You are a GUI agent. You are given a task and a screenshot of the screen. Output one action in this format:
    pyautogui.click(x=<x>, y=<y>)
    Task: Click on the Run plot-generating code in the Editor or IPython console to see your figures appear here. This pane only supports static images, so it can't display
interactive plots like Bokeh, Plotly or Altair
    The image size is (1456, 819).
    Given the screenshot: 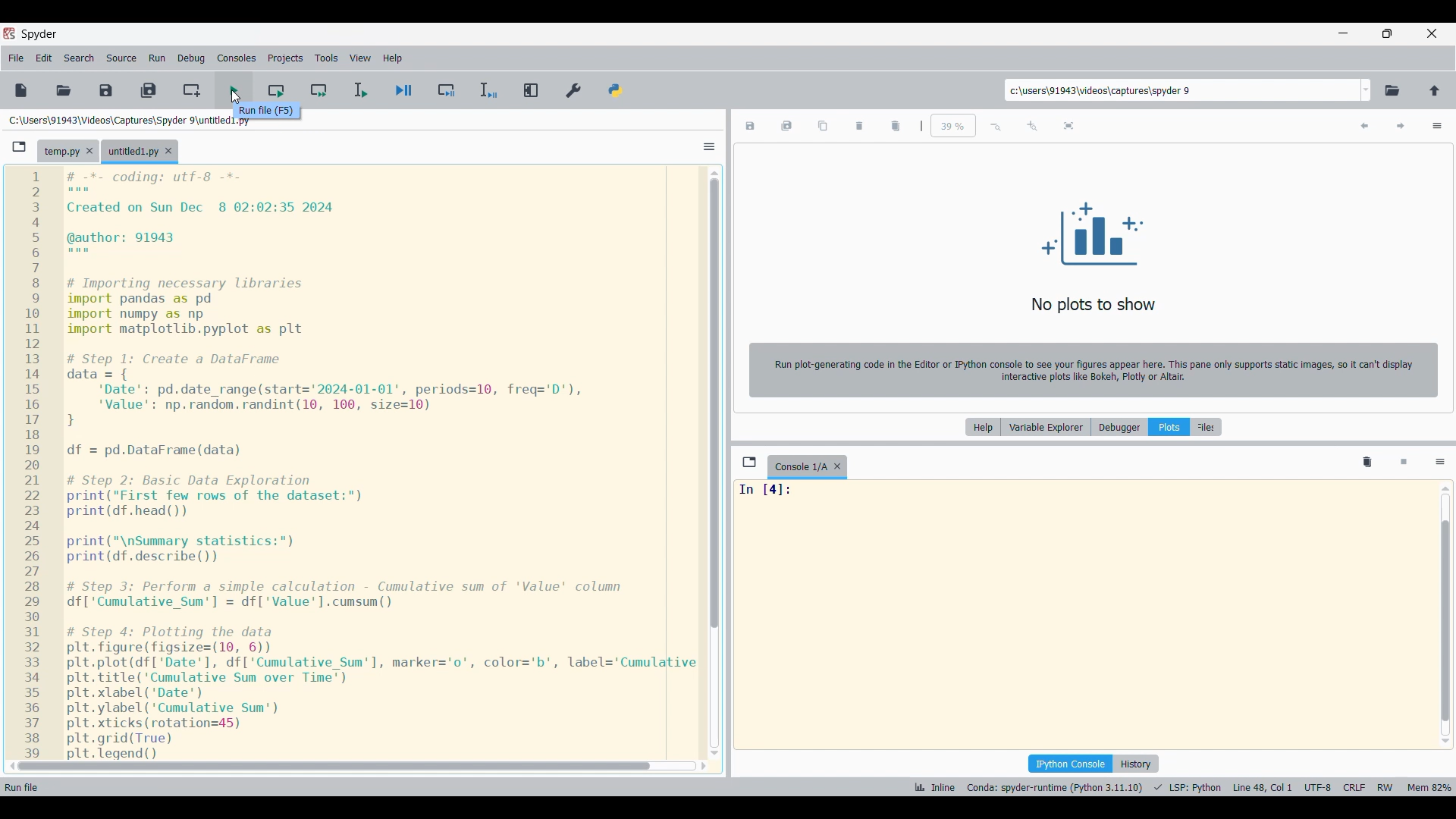 What is the action you would take?
    pyautogui.click(x=1094, y=370)
    